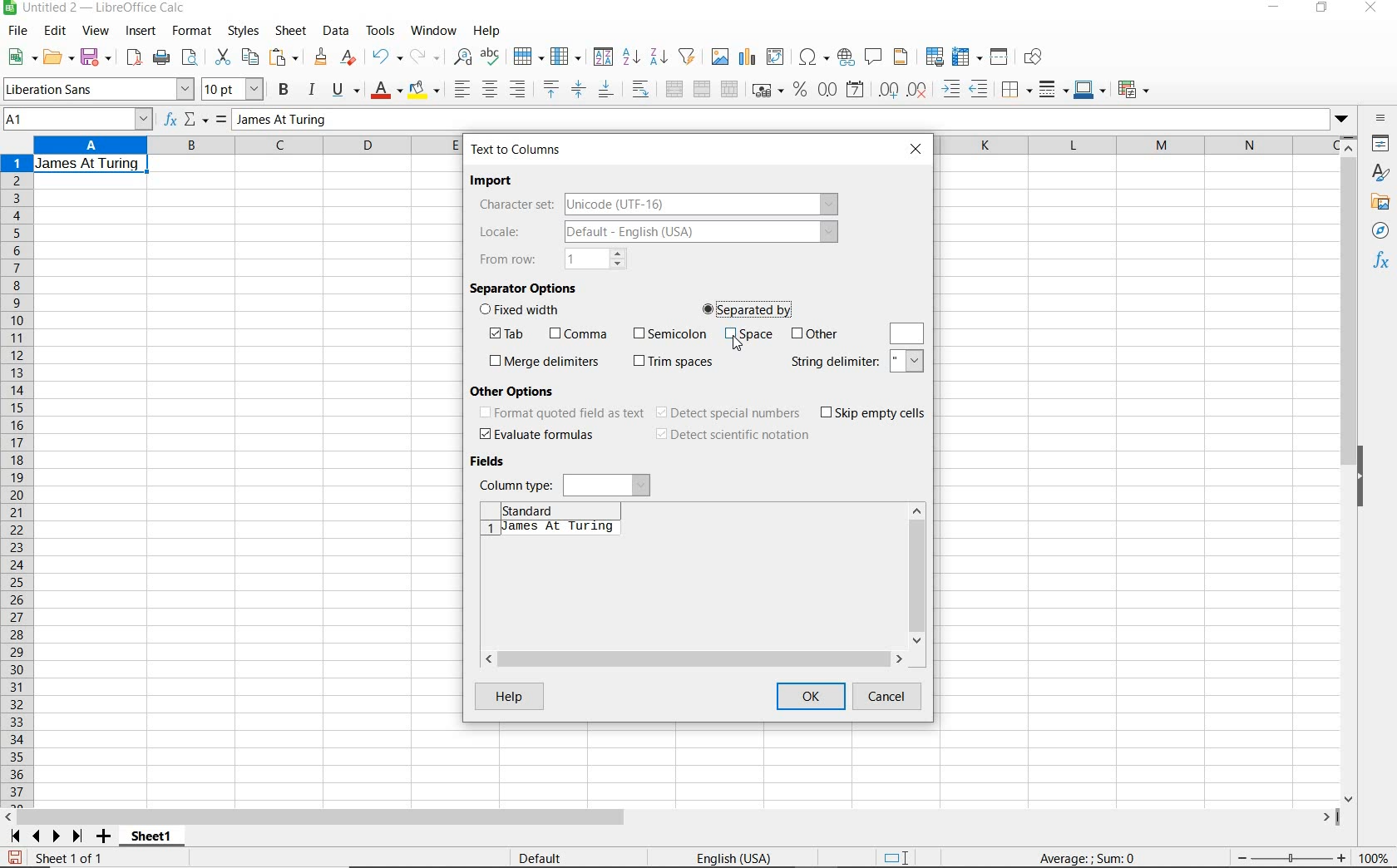 This screenshot has width=1397, height=868. I want to click on sort, so click(601, 58).